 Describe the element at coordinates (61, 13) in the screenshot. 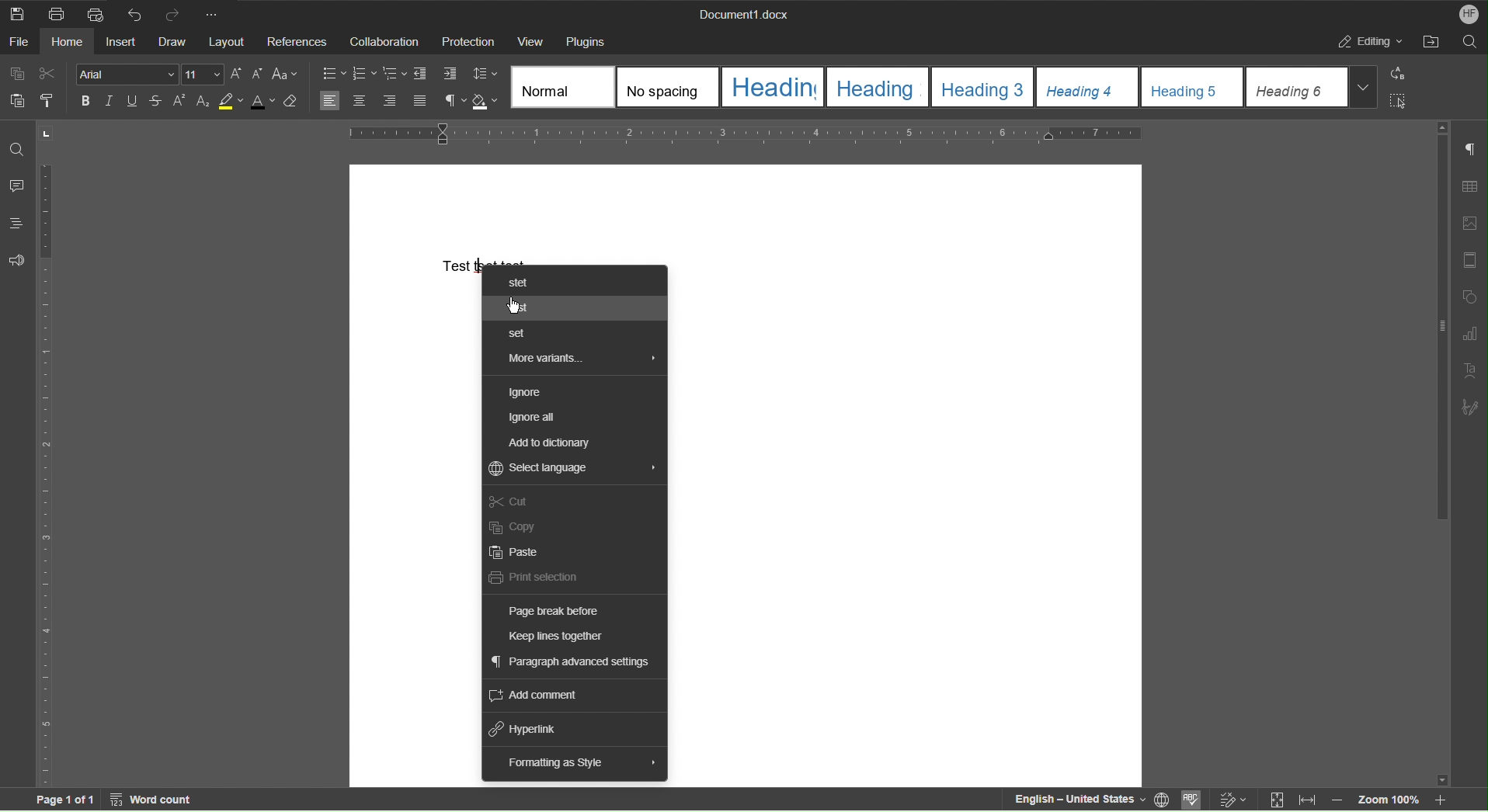

I see `Print` at that location.